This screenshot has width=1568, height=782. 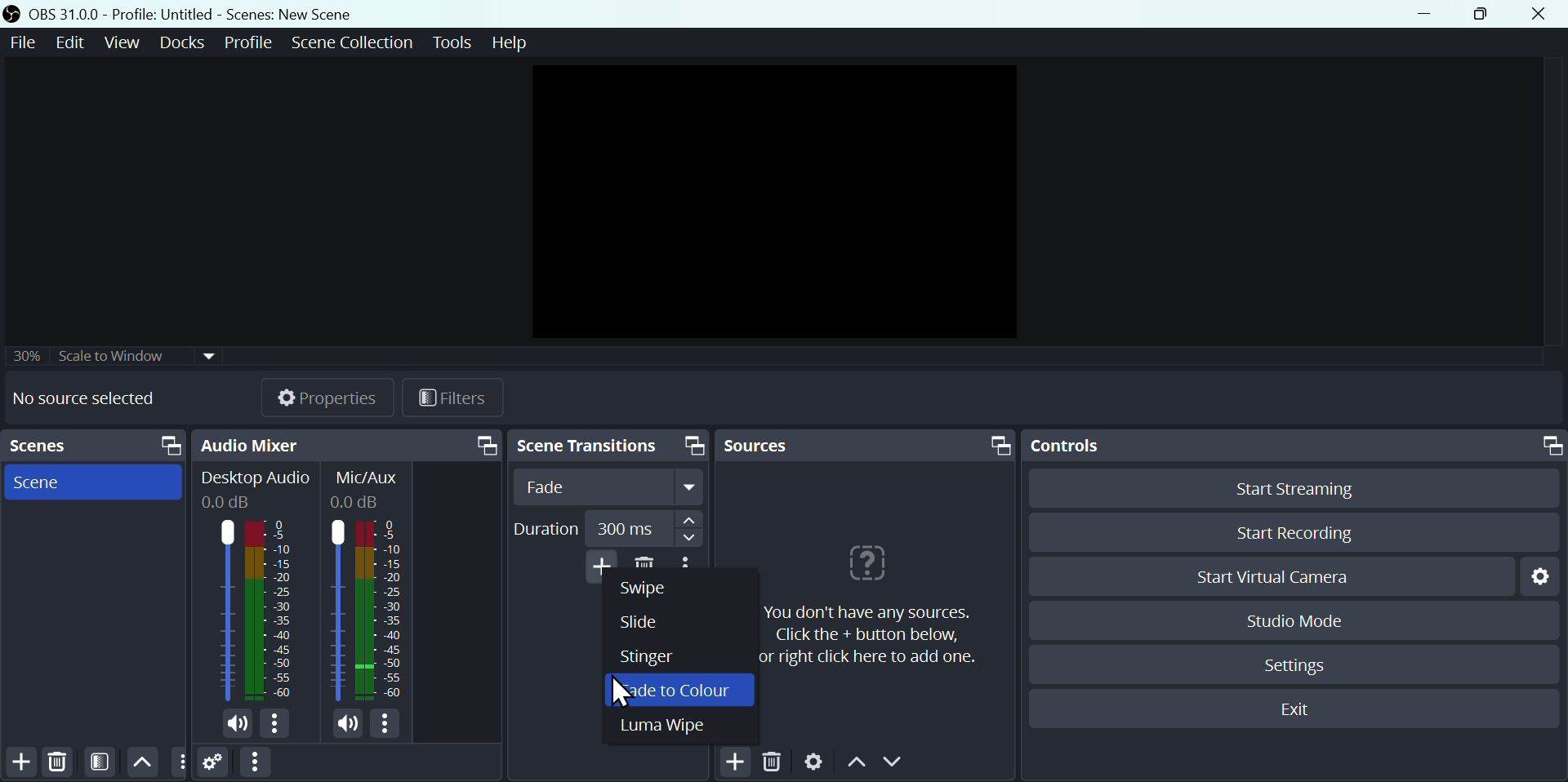 I want to click on , so click(x=125, y=42).